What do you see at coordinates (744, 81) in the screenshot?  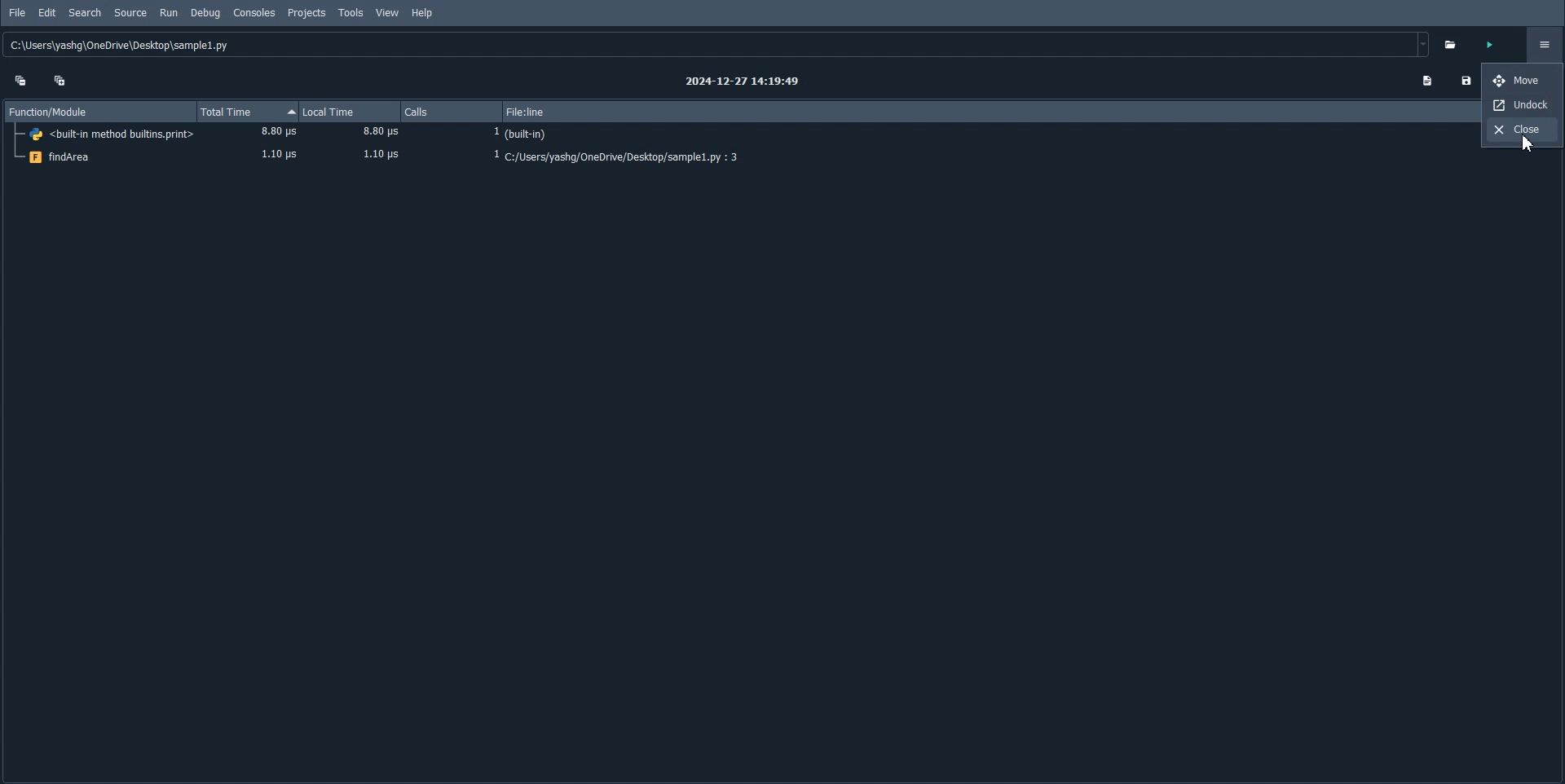 I see `2024-12-17 14:19:49` at bounding box center [744, 81].